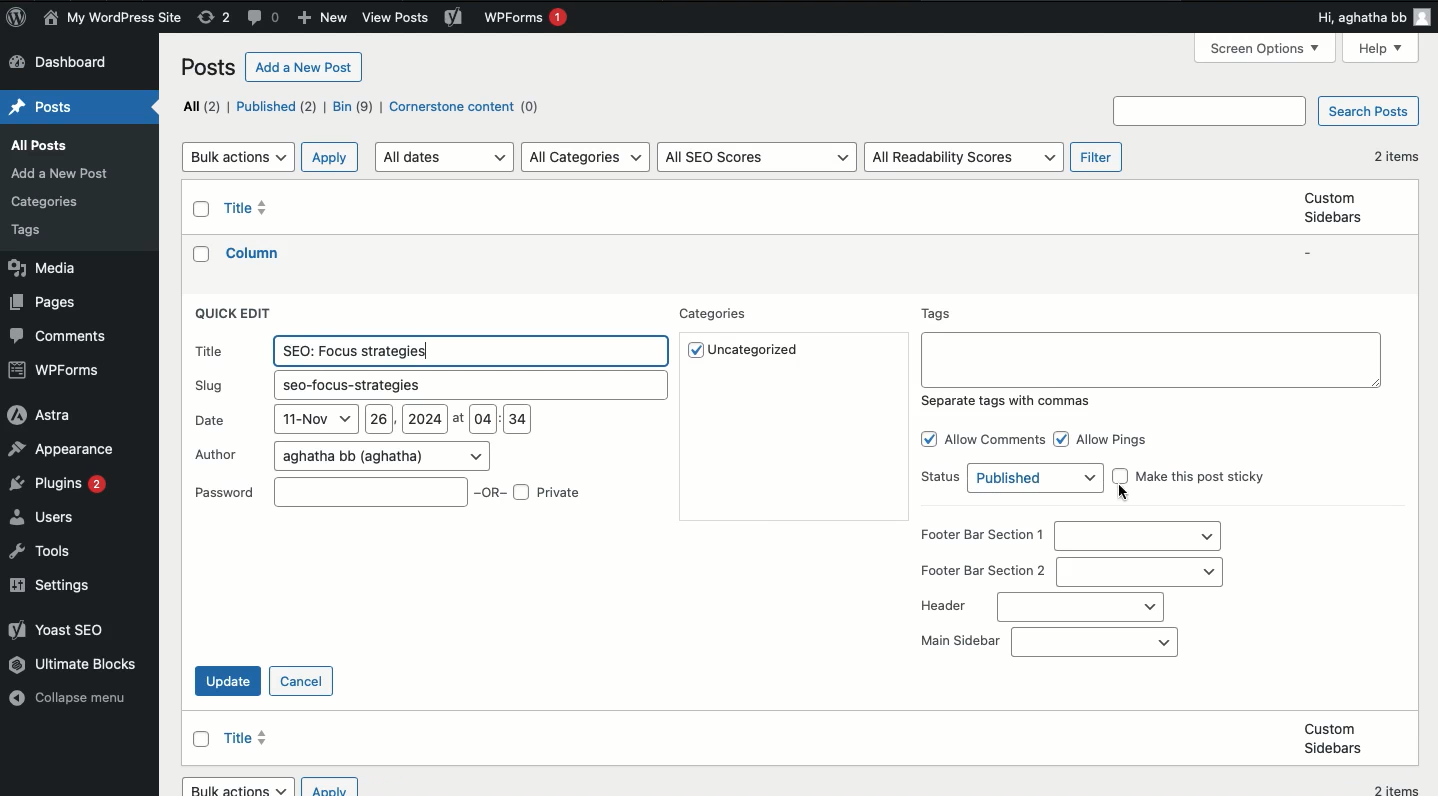 The height and width of the screenshot is (796, 1438). What do you see at coordinates (1008, 400) in the screenshot?
I see `Separate tags with commas` at bounding box center [1008, 400].